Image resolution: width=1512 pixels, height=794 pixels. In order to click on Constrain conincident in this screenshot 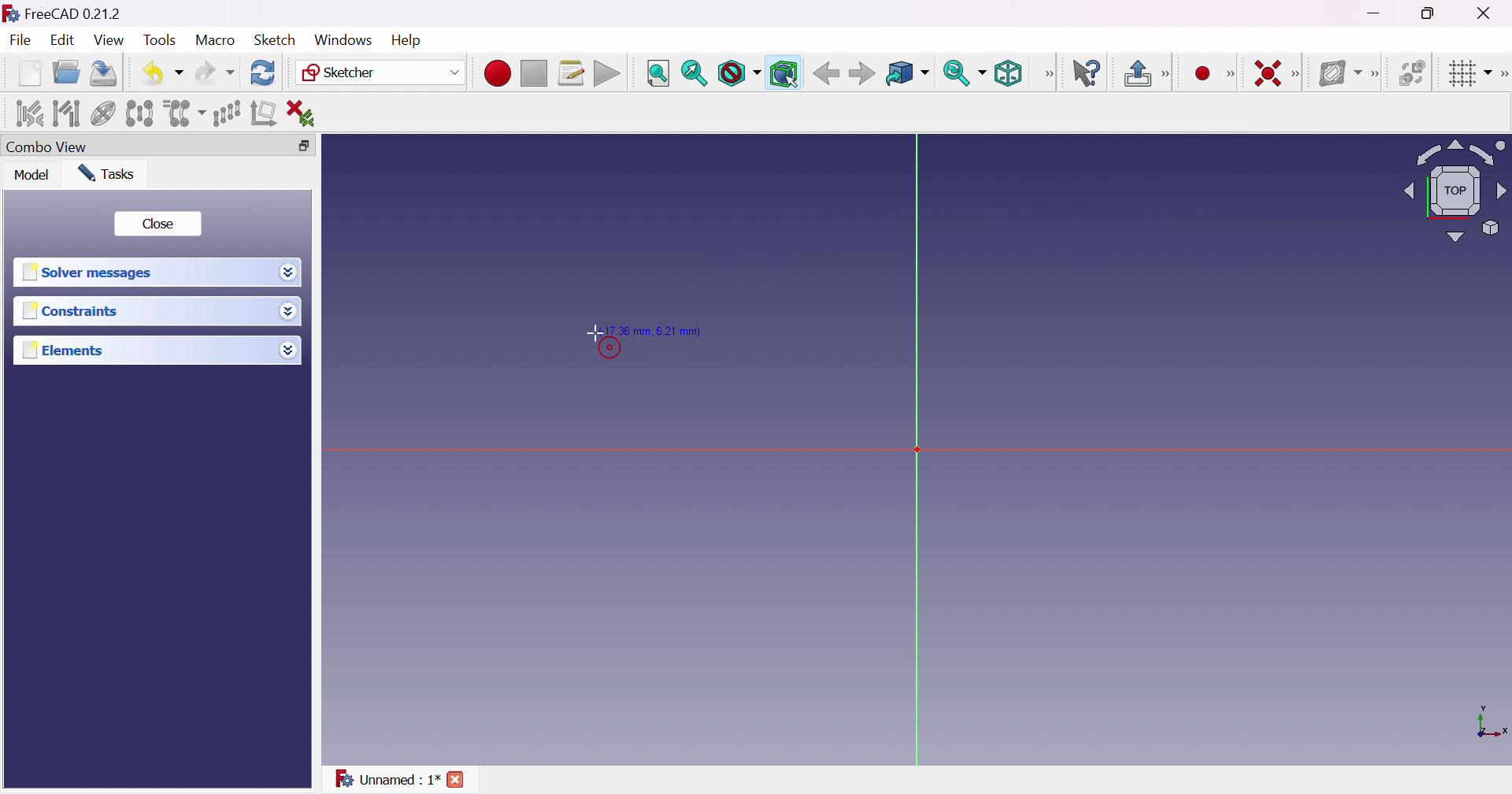, I will do `click(1269, 75)`.